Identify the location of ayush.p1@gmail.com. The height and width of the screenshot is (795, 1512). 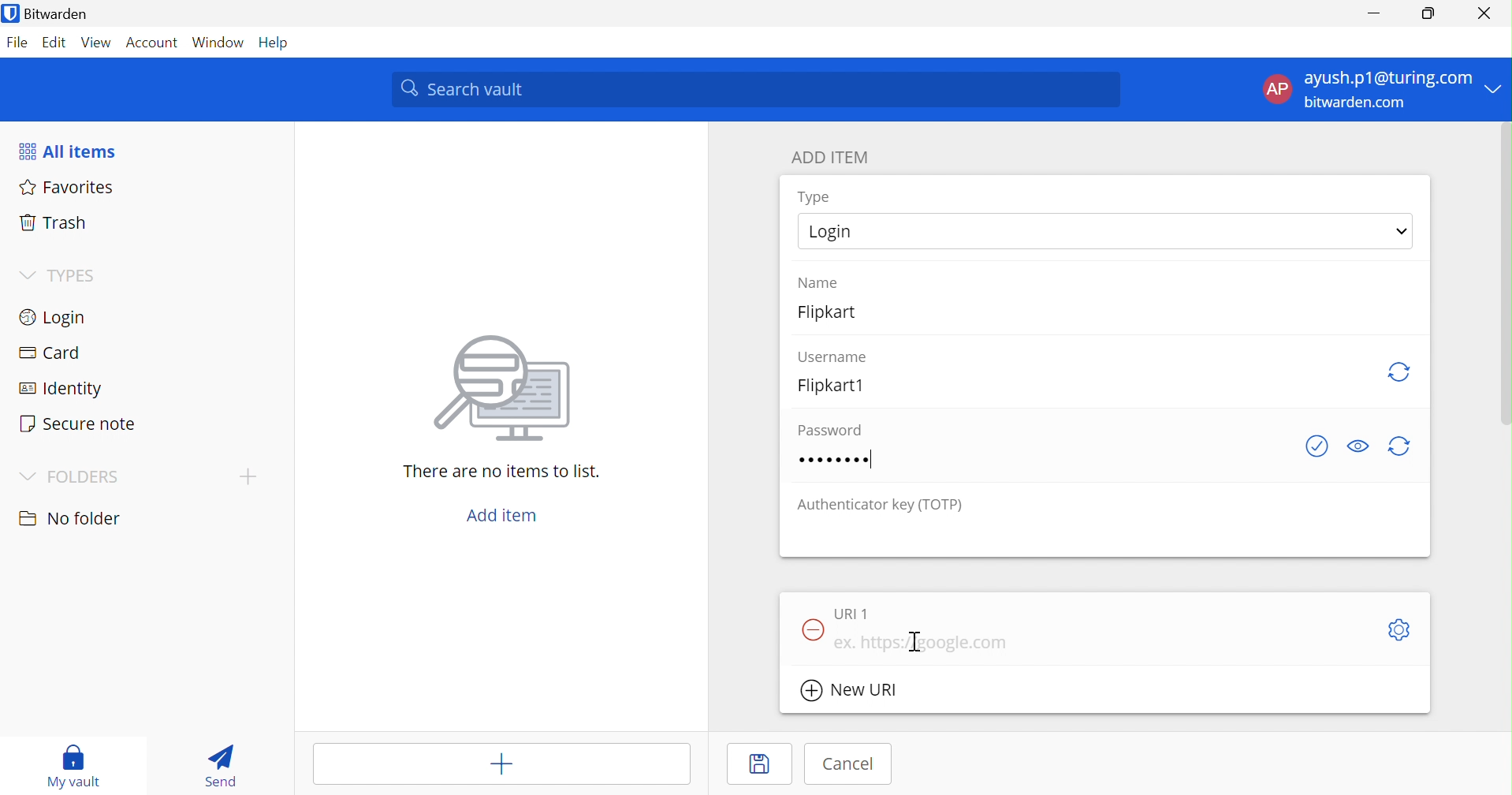
(1386, 80).